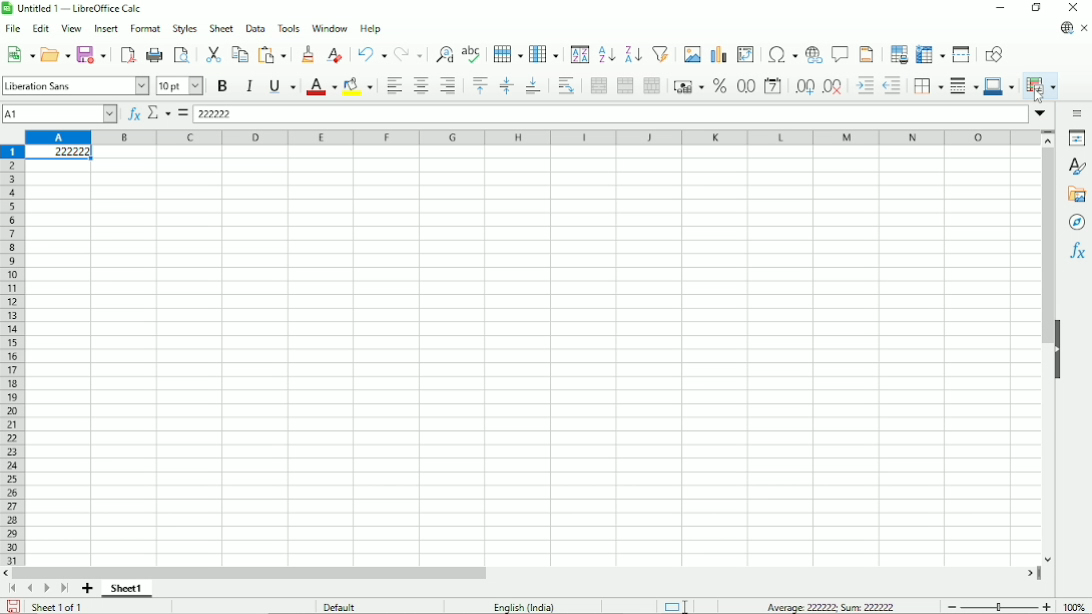 The width and height of the screenshot is (1092, 614). I want to click on Split window, so click(961, 54).